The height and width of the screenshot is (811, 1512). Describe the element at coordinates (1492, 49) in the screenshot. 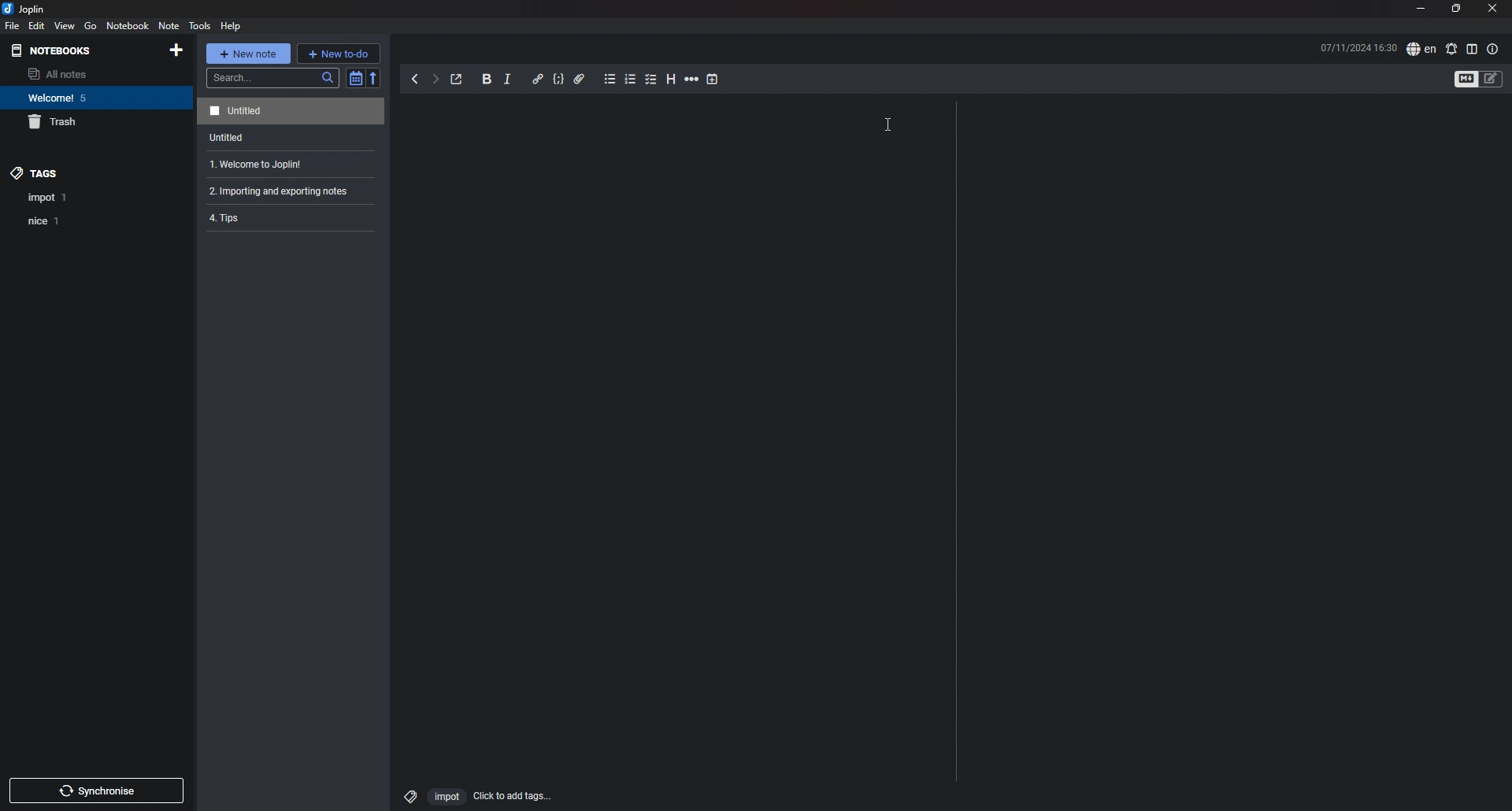

I see `note properties` at that location.